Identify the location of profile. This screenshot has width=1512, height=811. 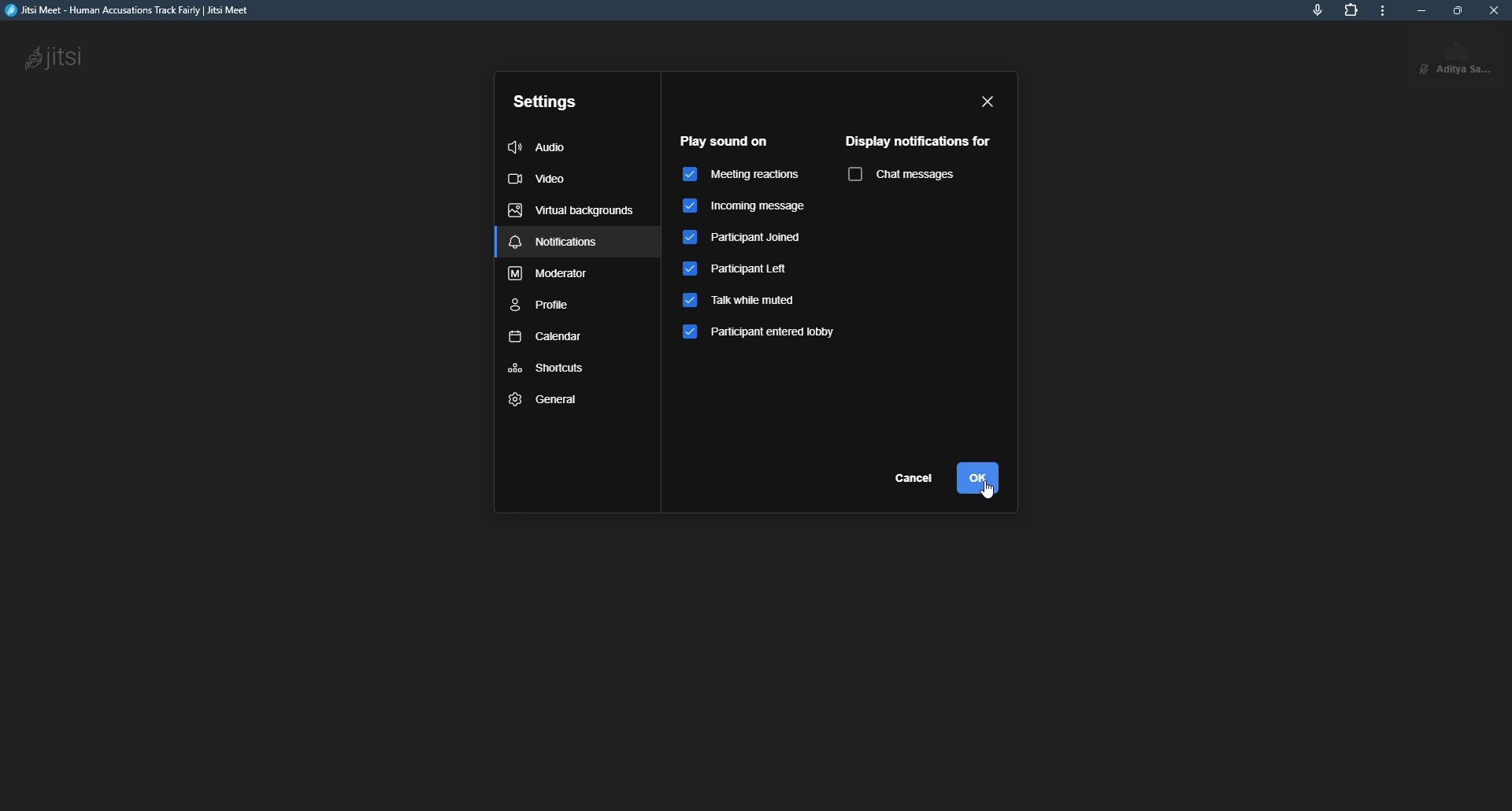
(1467, 60).